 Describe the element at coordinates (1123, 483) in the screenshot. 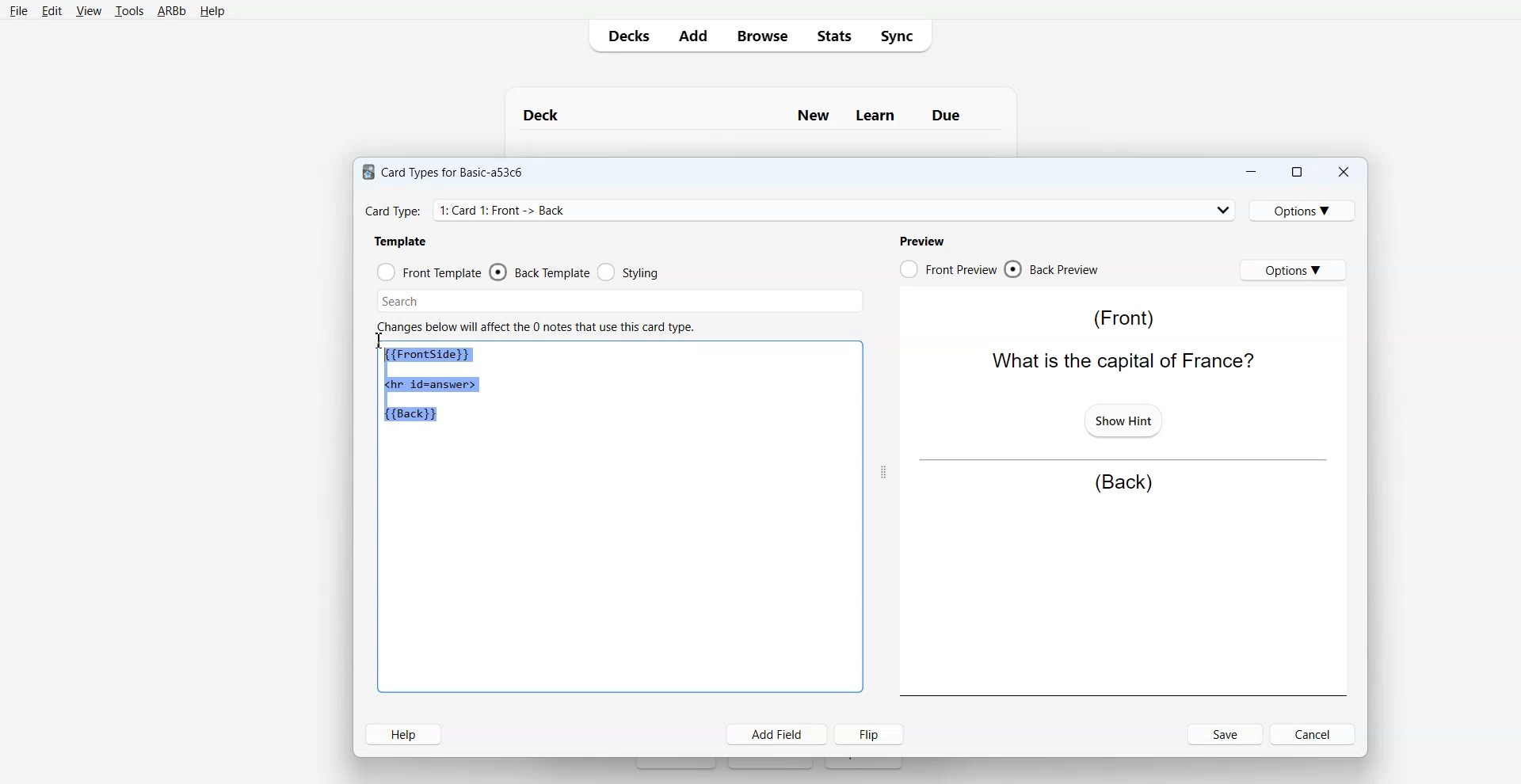

I see `(Back)` at that location.